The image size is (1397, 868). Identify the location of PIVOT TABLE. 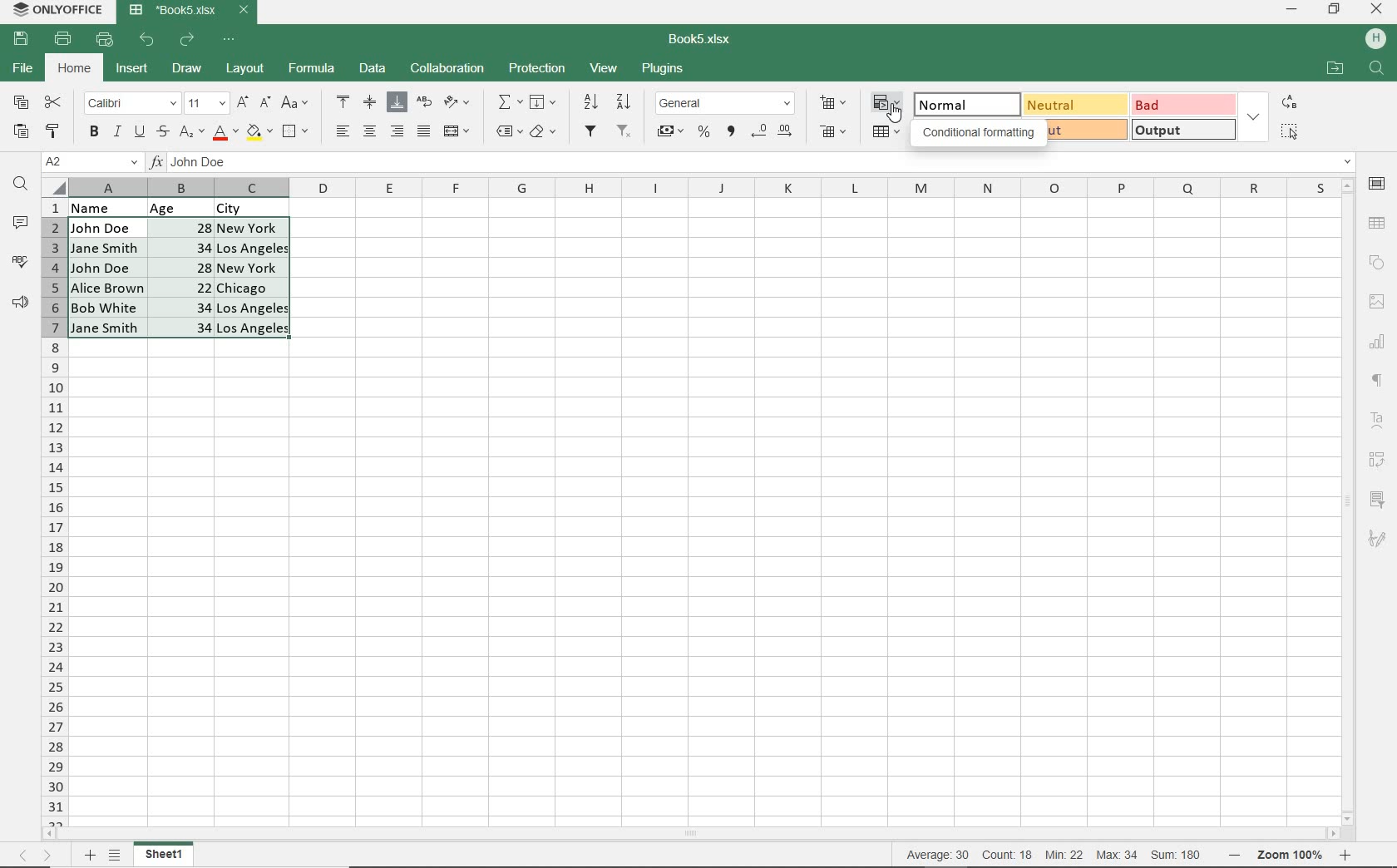
(1379, 460).